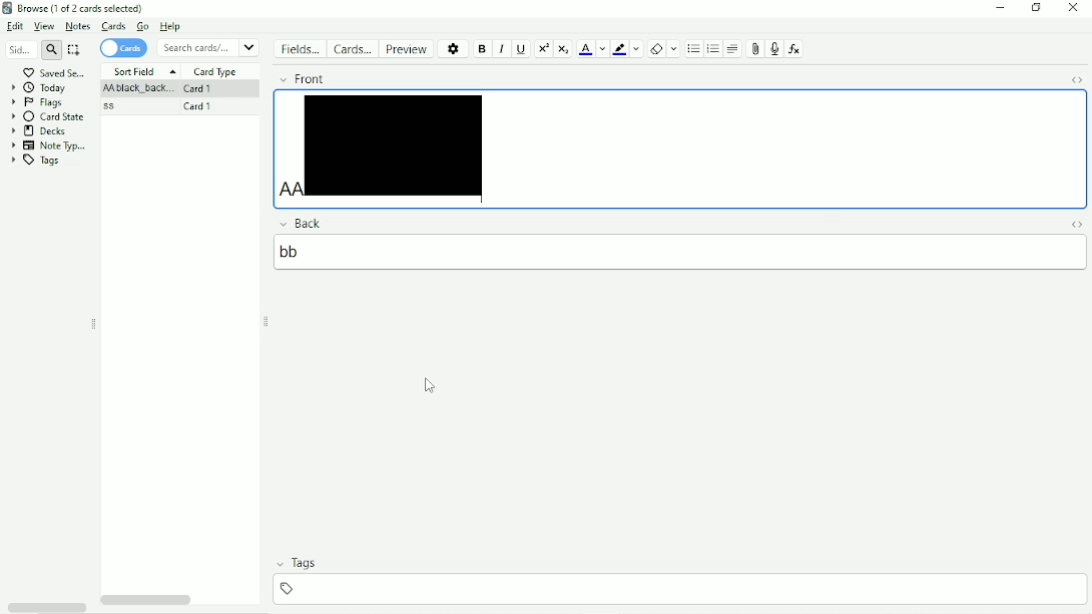 The width and height of the screenshot is (1092, 614). Describe the element at coordinates (40, 131) in the screenshot. I see `Decks` at that location.